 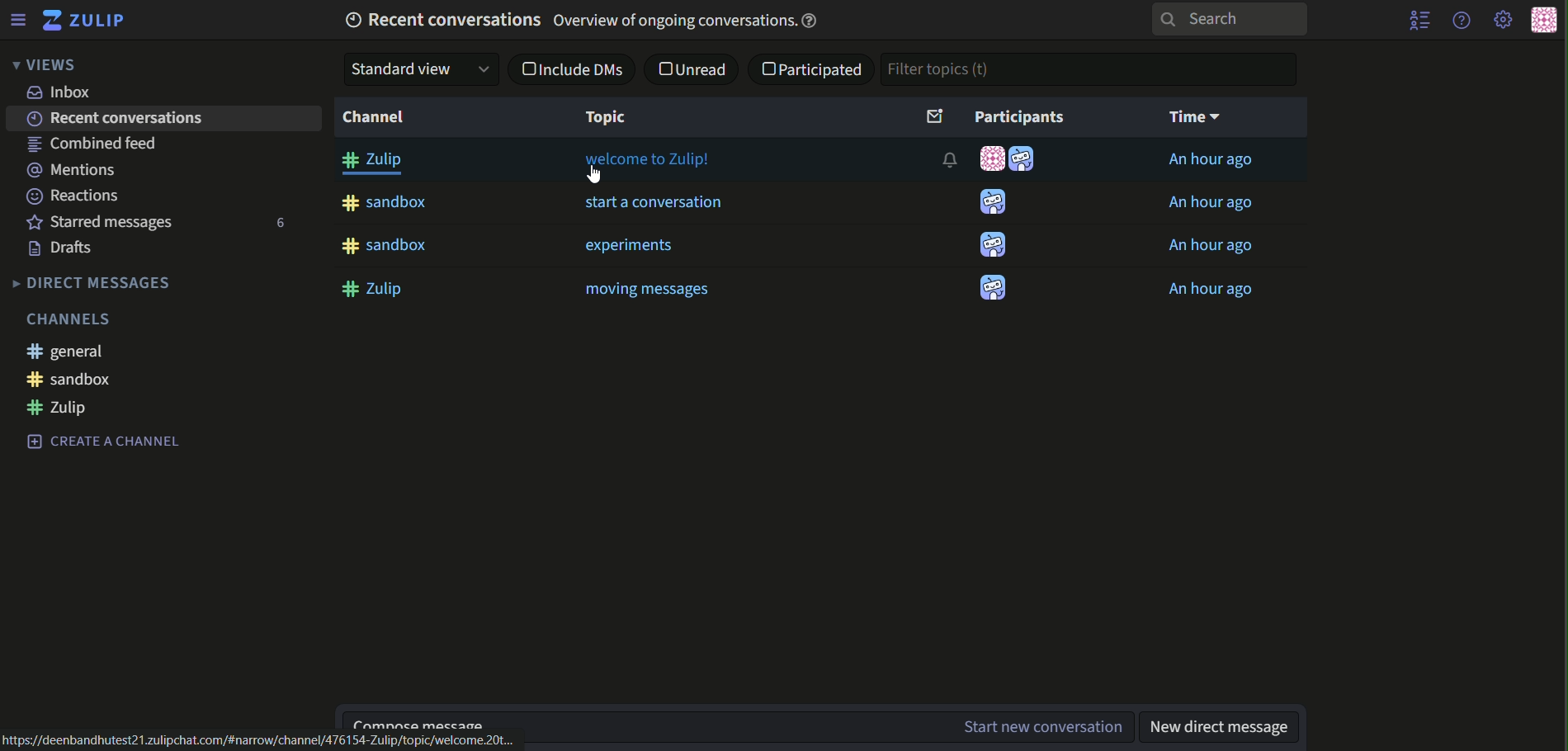 I want to click on text, so click(x=102, y=222).